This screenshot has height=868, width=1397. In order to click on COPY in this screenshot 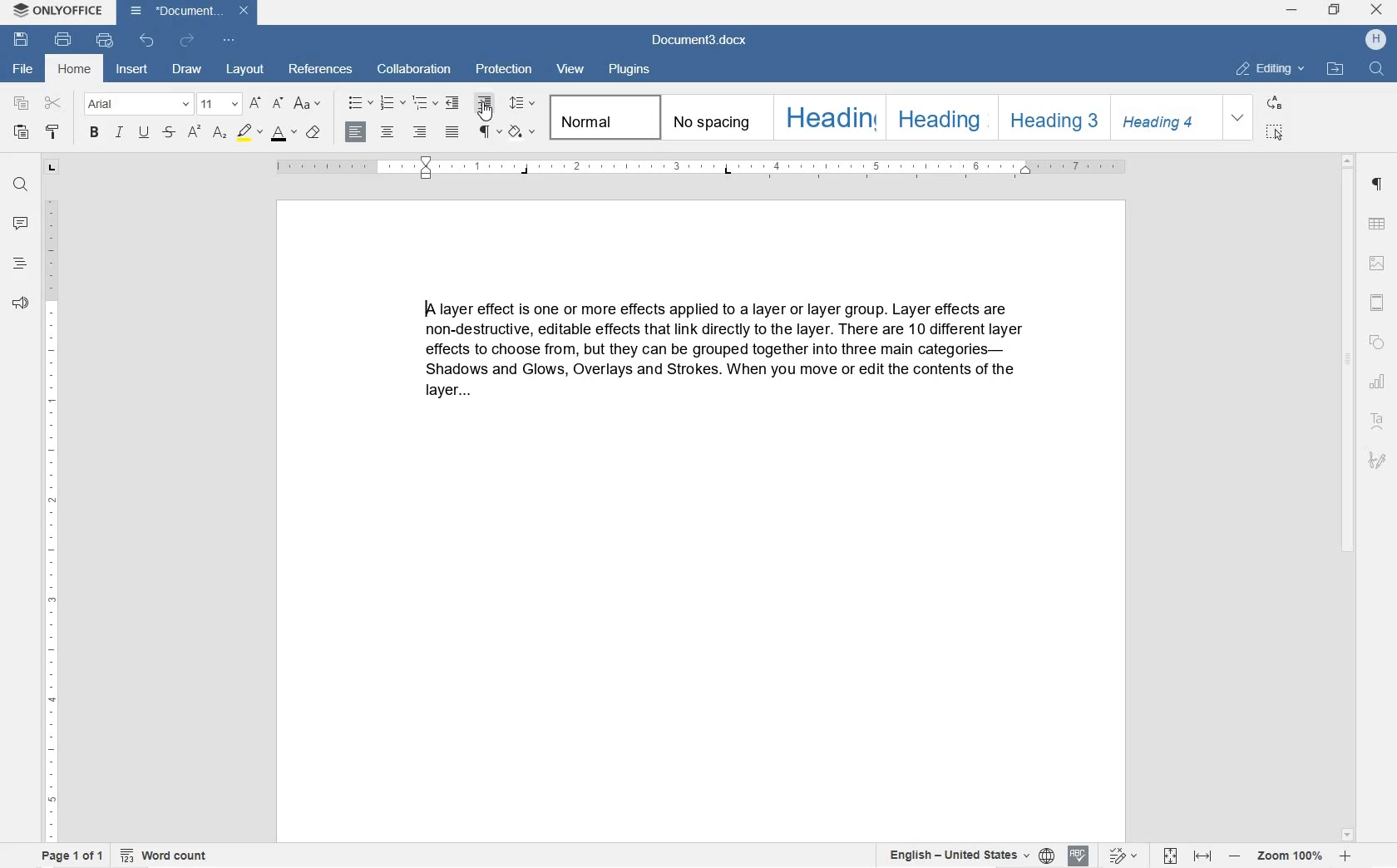, I will do `click(22, 104)`.